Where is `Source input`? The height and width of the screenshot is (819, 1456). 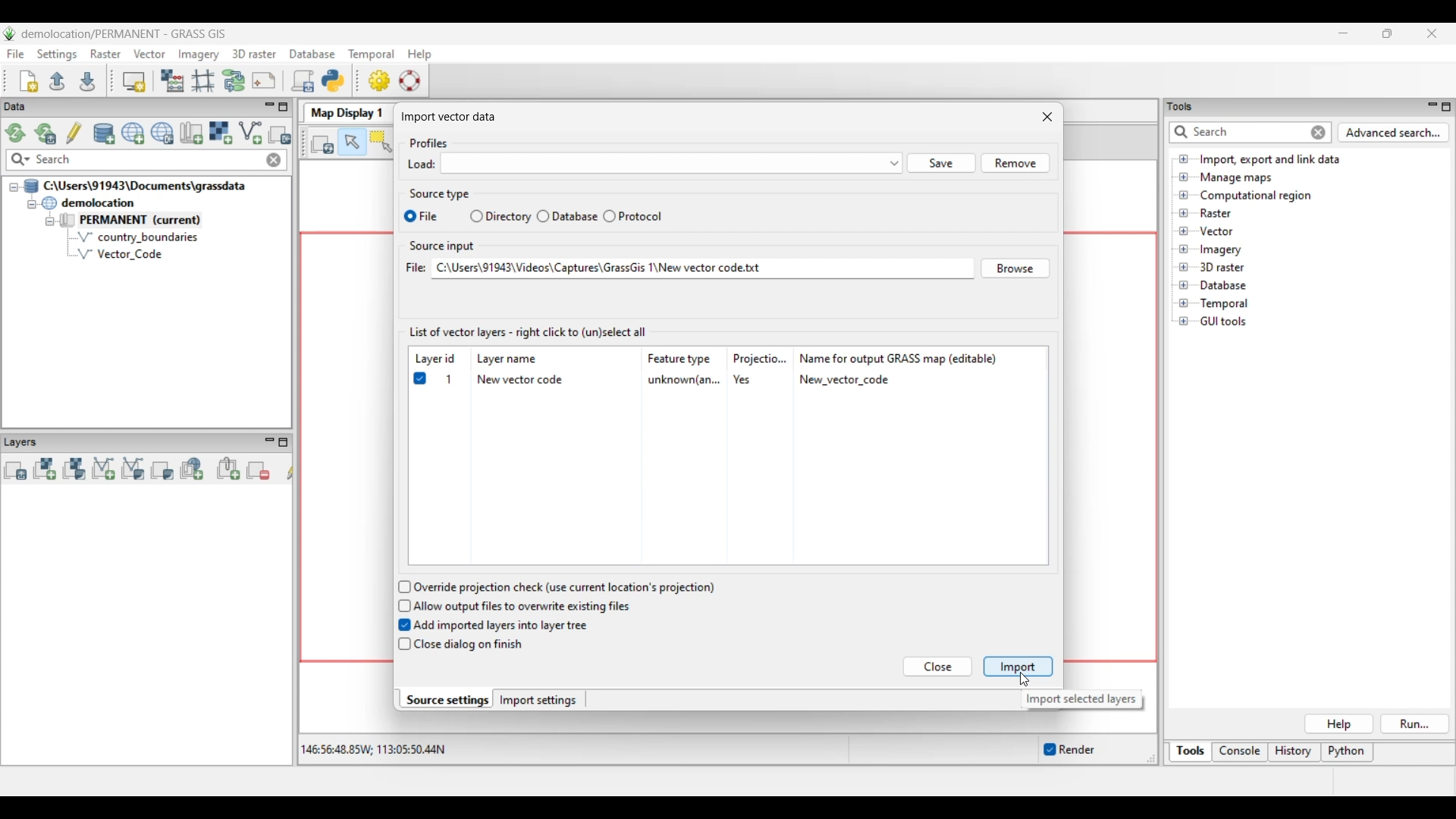 Source input is located at coordinates (447, 246).